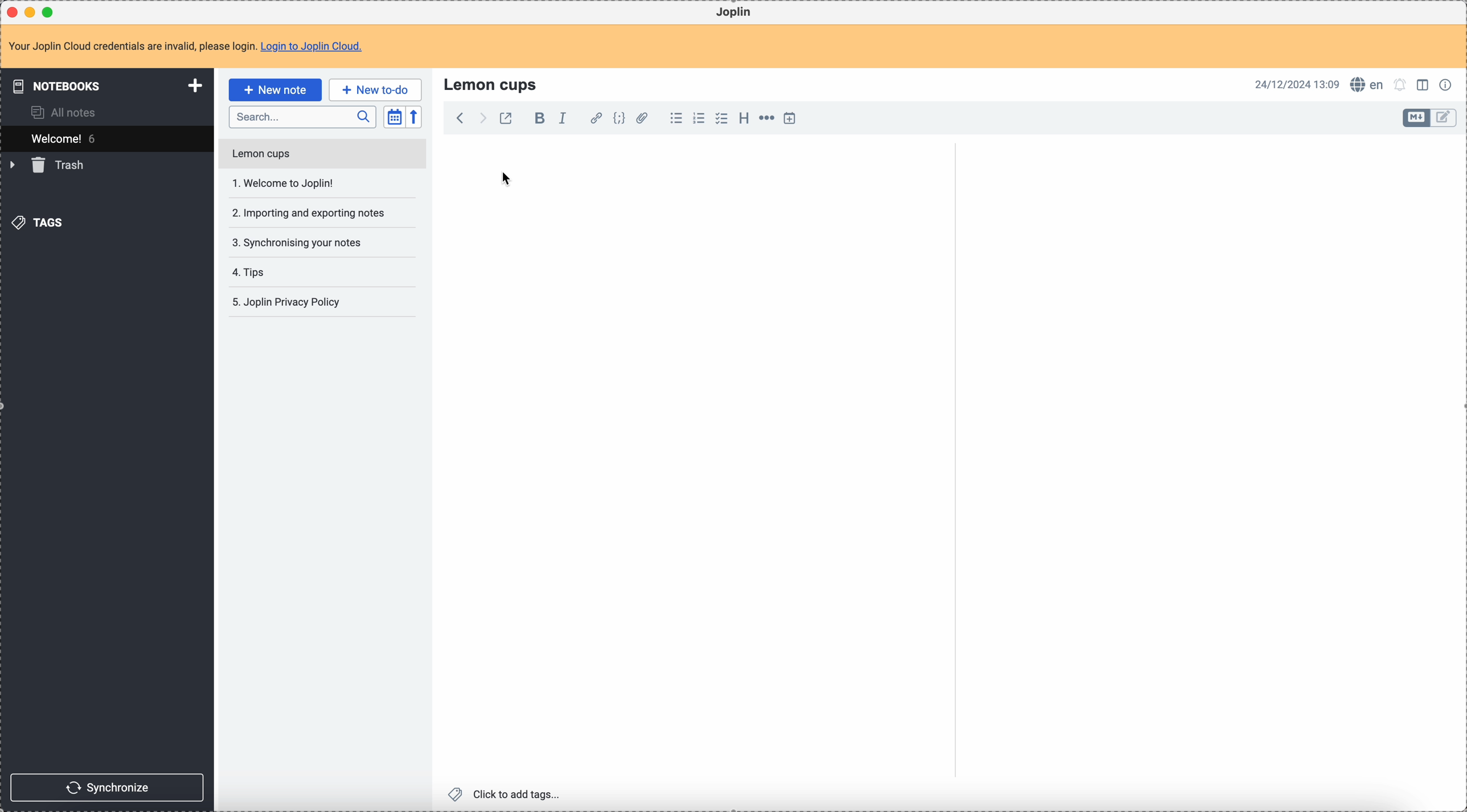 The width and height of the screenshot is (1467, 812). What do you see at coordinates (1370, 84) in the screenshot?
I see `spell checker` at bounding box center [1370, 84].